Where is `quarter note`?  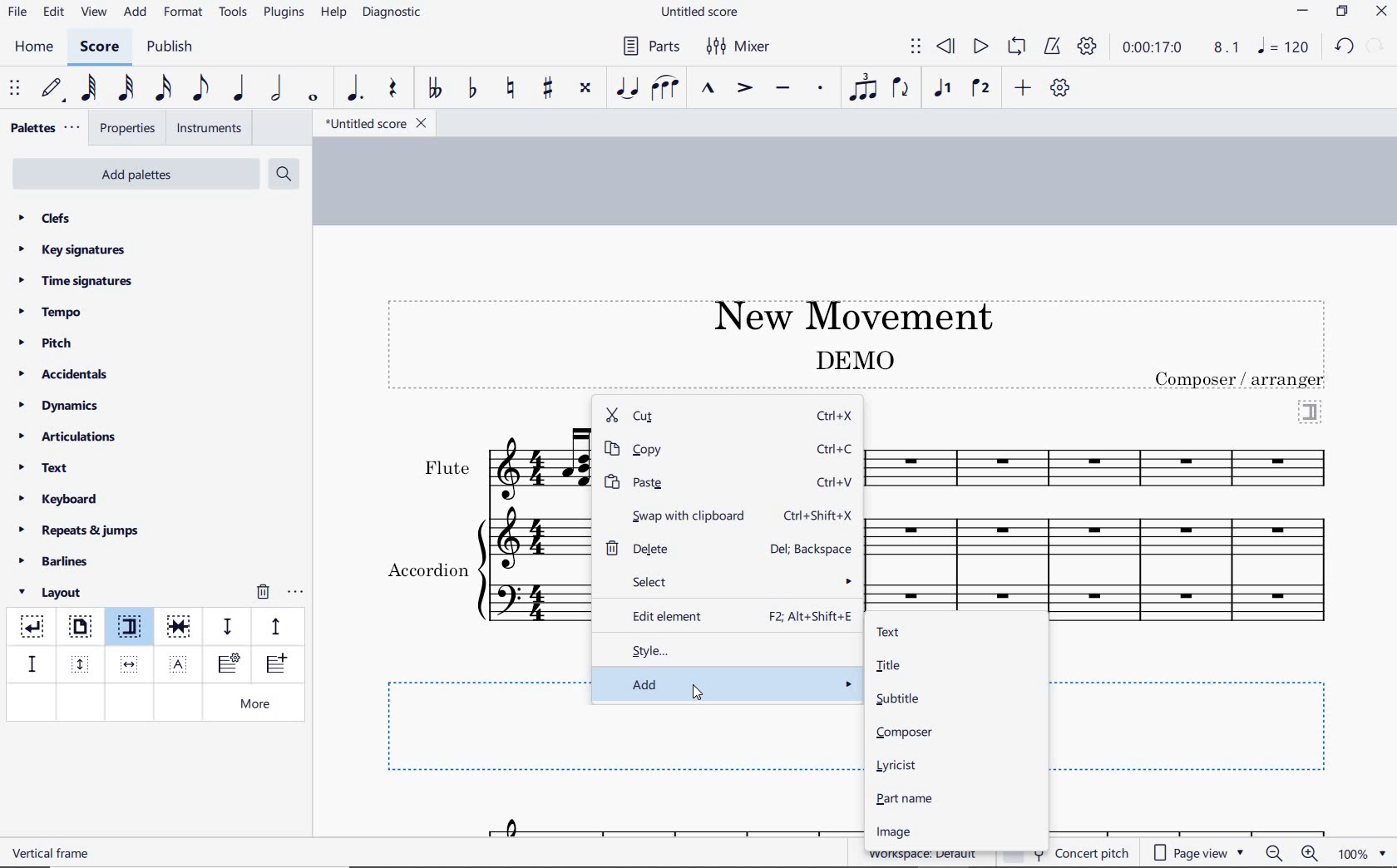
quarter note is located at coordinates (238, 89).